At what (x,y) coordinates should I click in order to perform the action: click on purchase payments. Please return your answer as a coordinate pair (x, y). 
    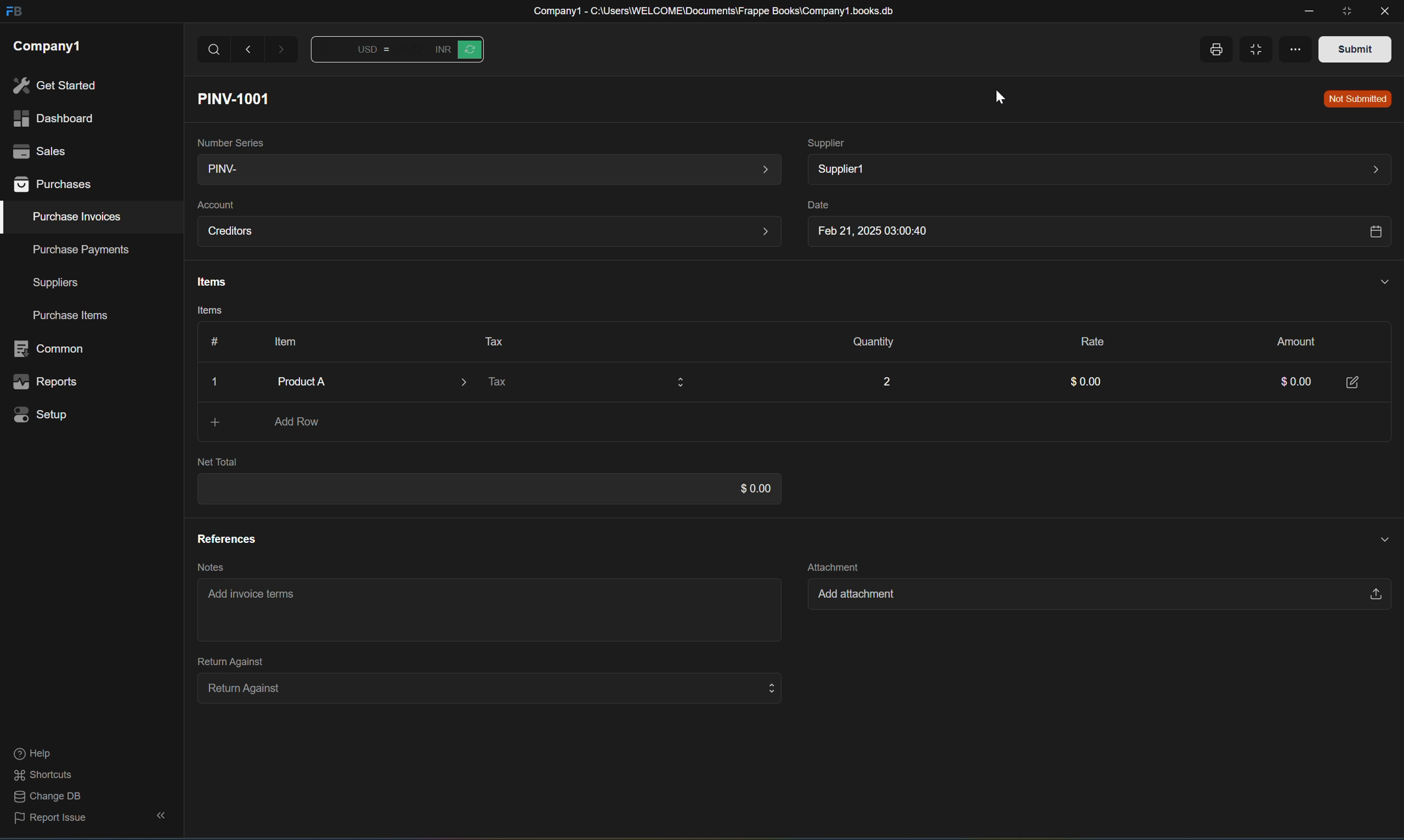
    Looking at the image, I should click on (72, 249).